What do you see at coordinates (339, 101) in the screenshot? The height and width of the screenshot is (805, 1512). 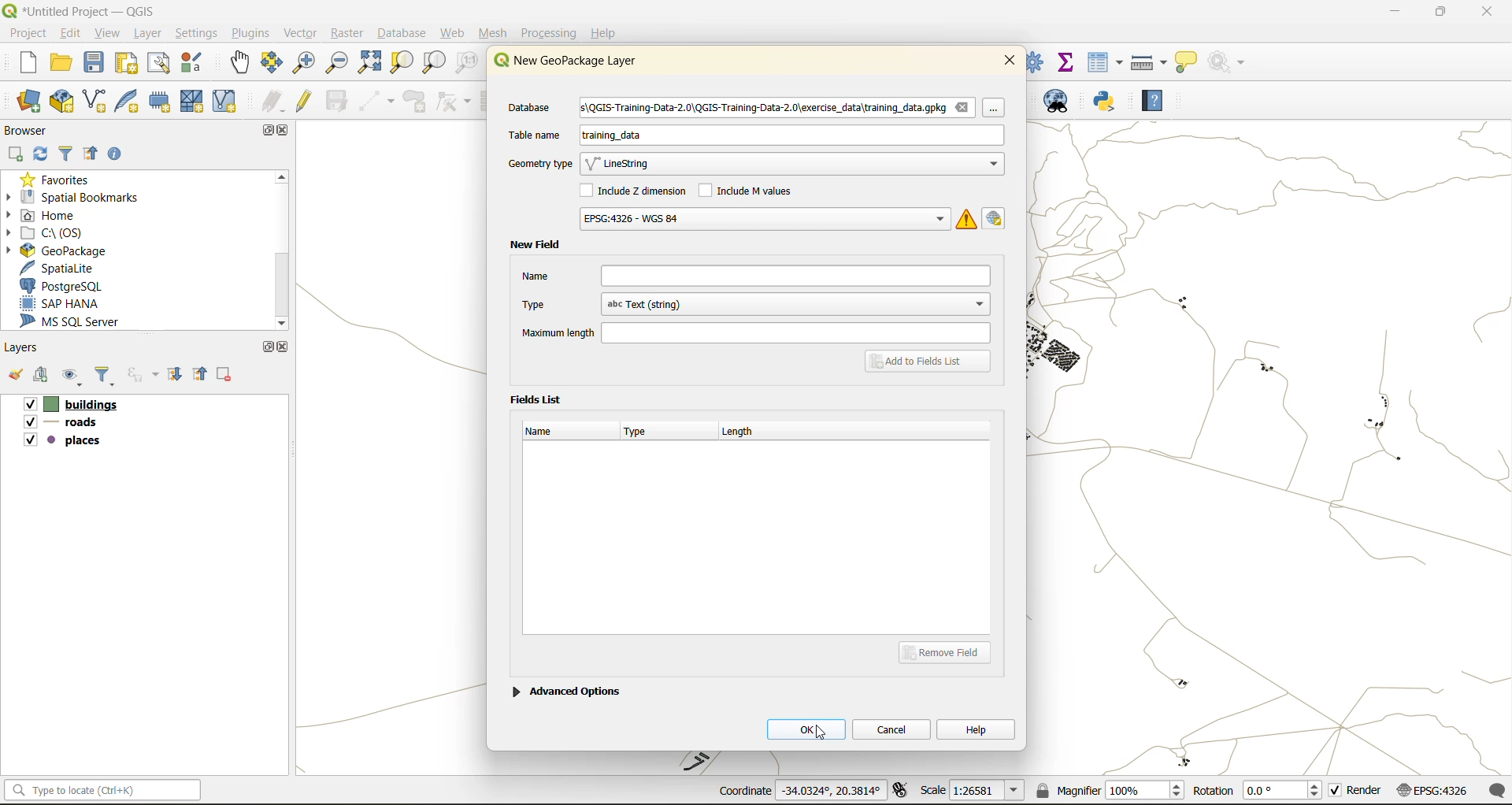 I see `save edits` at bounding box center [339, 101].